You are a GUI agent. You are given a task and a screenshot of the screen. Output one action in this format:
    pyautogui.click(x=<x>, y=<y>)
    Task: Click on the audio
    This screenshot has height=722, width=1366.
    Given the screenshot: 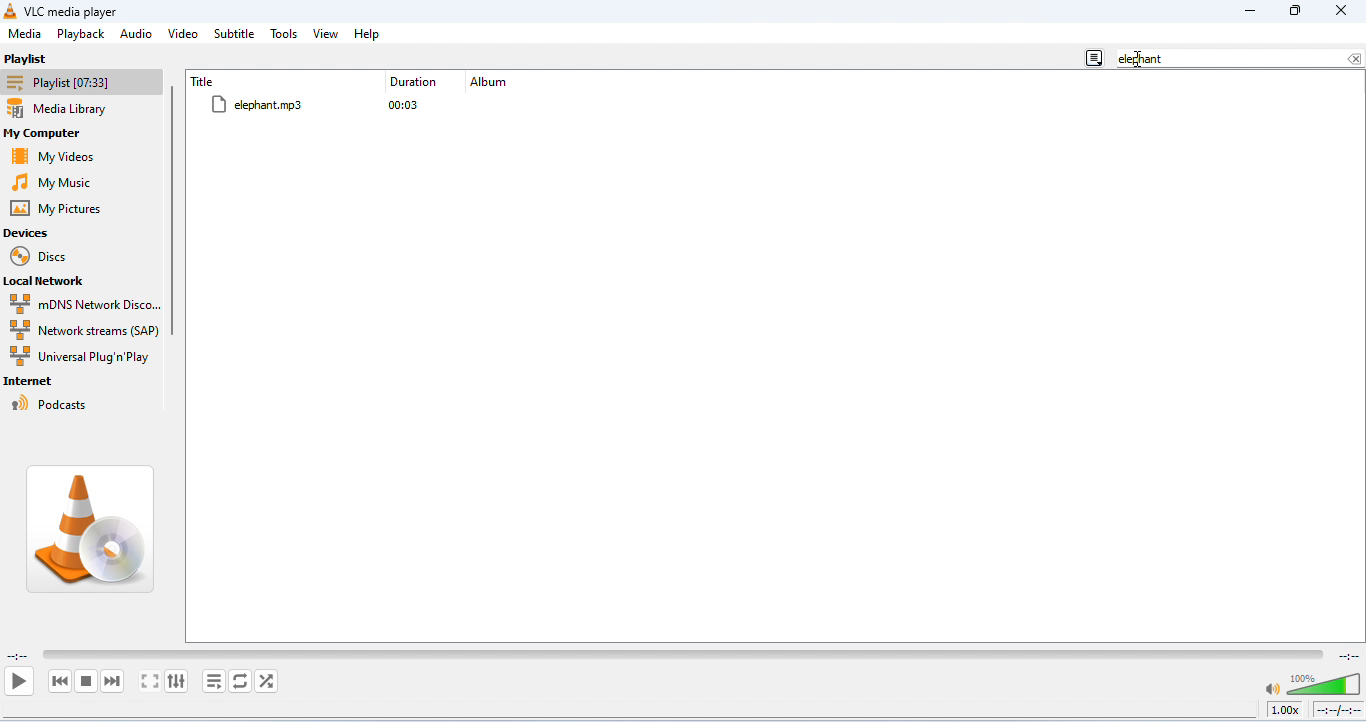 What is the action you would take?
    pyautogui.click(x=136, y=33)
    